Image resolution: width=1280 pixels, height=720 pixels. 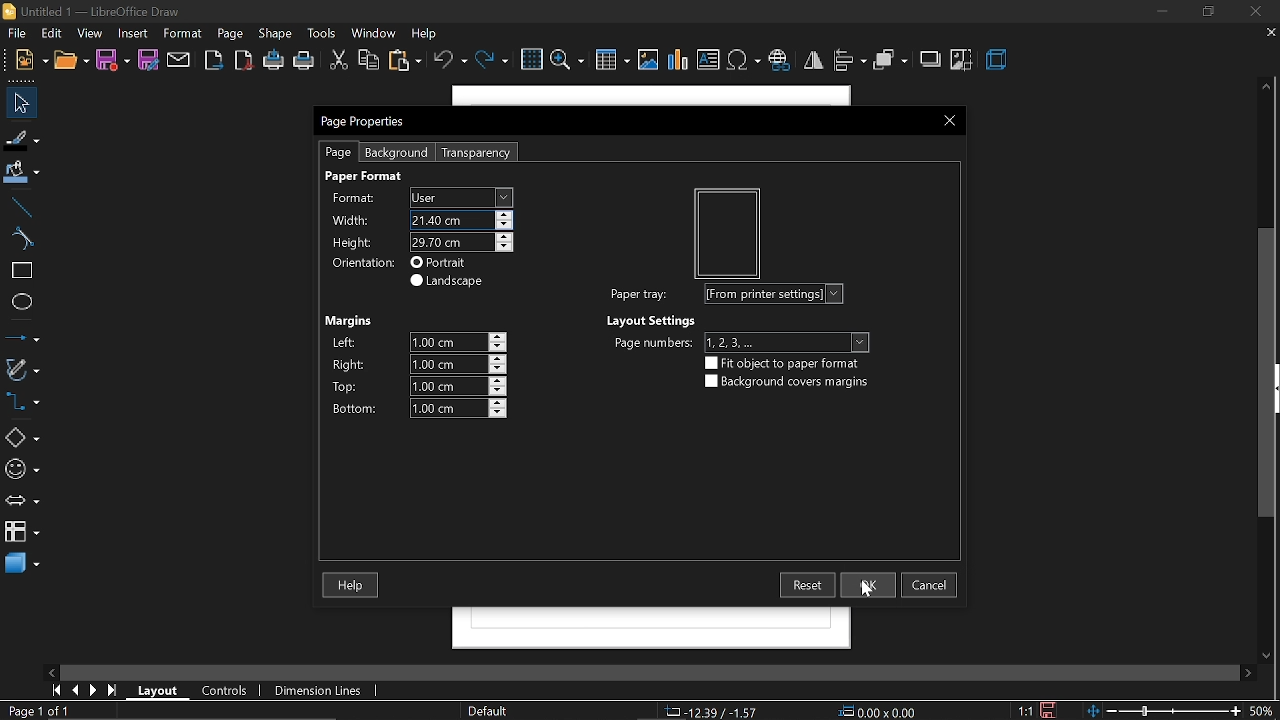 I want to click on basic shapes, so click(x=22, y=439).